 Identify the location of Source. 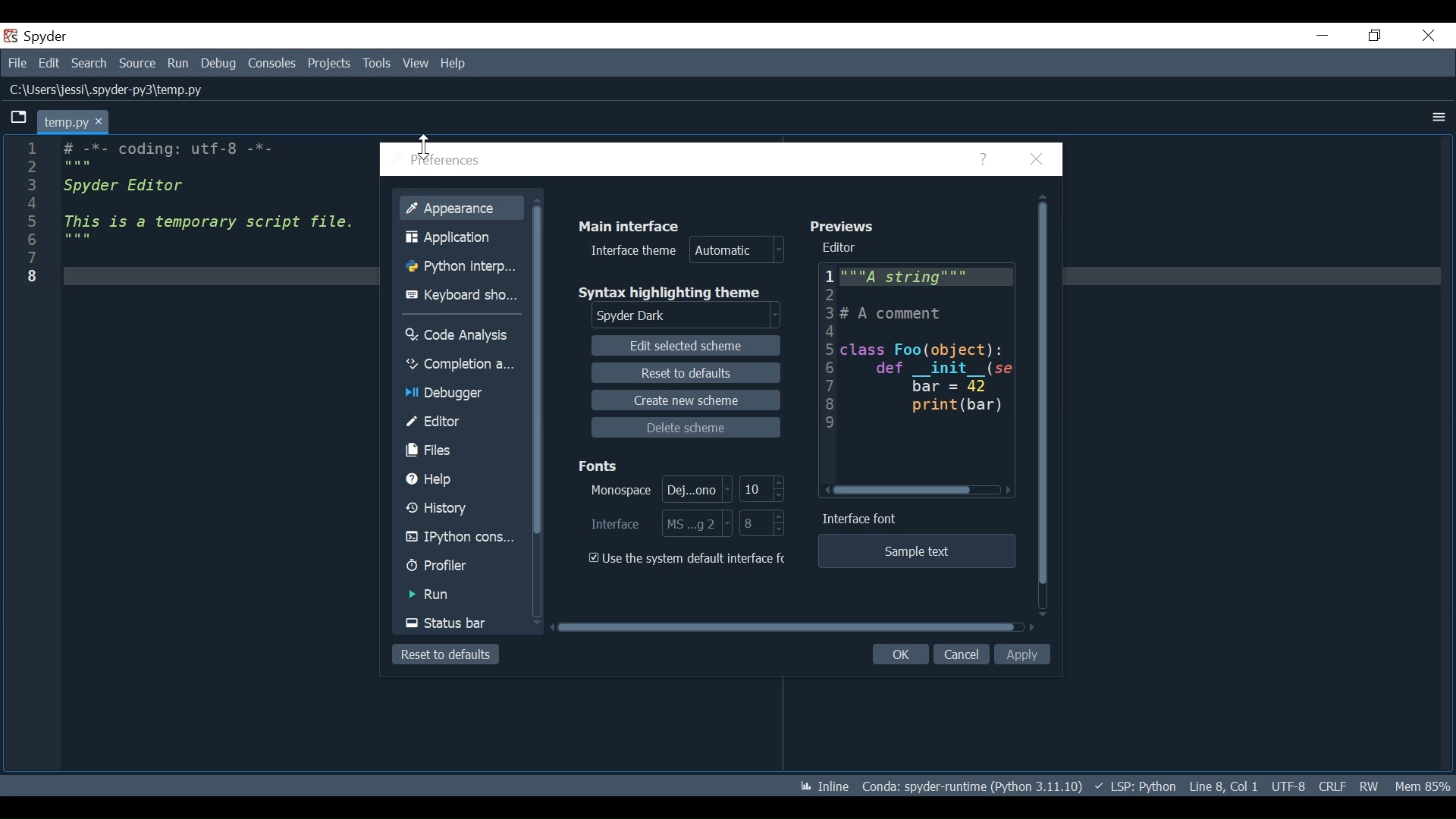
(138, 65).